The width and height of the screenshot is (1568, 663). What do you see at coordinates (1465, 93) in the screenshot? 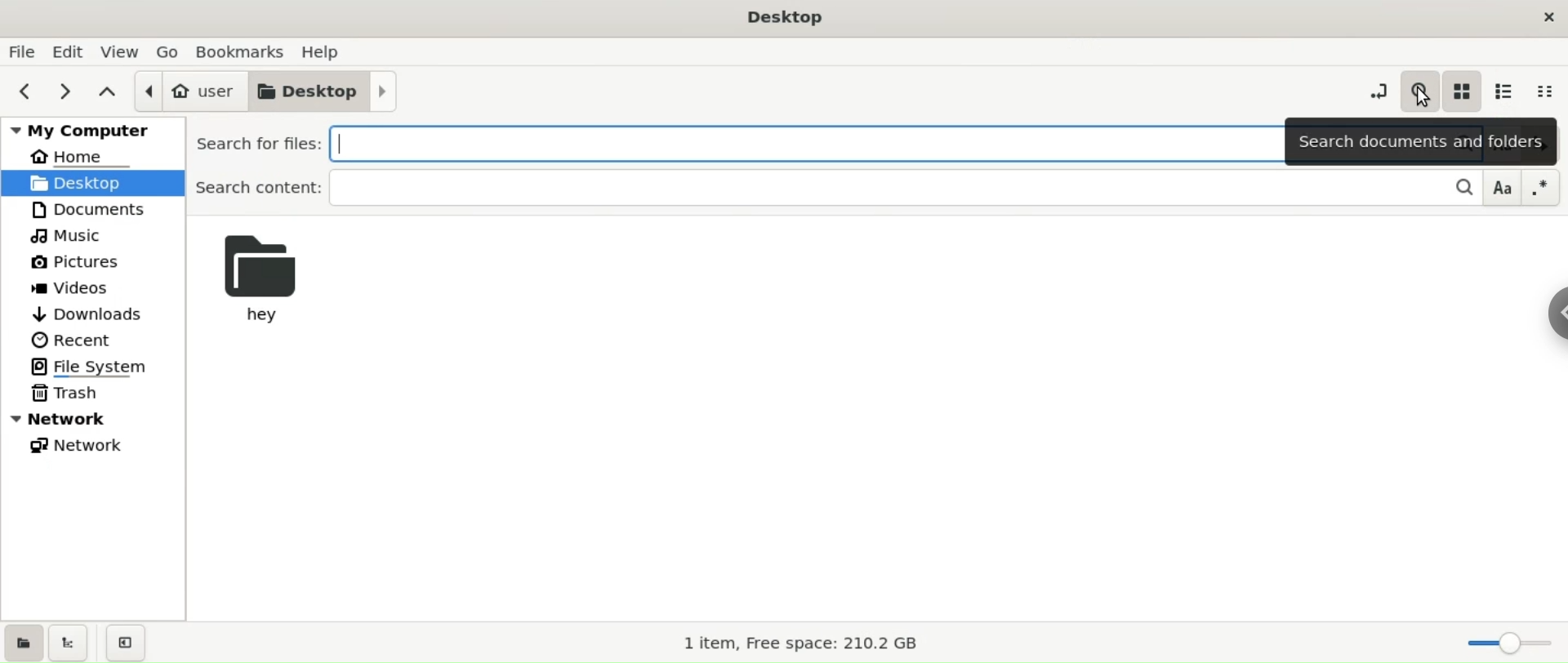
I see `icon view` at bounding box center [1465, 93].